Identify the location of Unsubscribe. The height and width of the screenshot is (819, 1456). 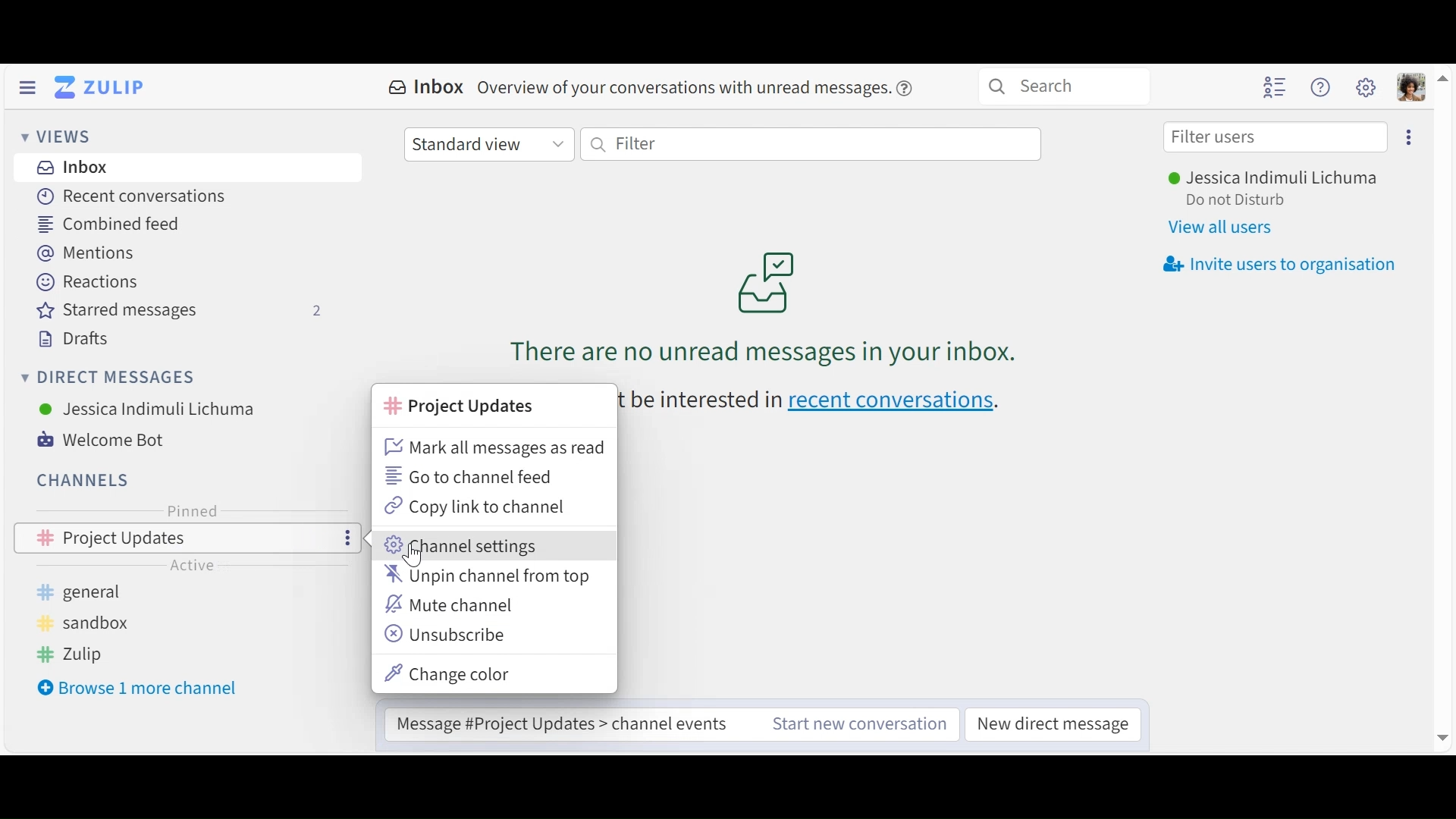
(449, 635).